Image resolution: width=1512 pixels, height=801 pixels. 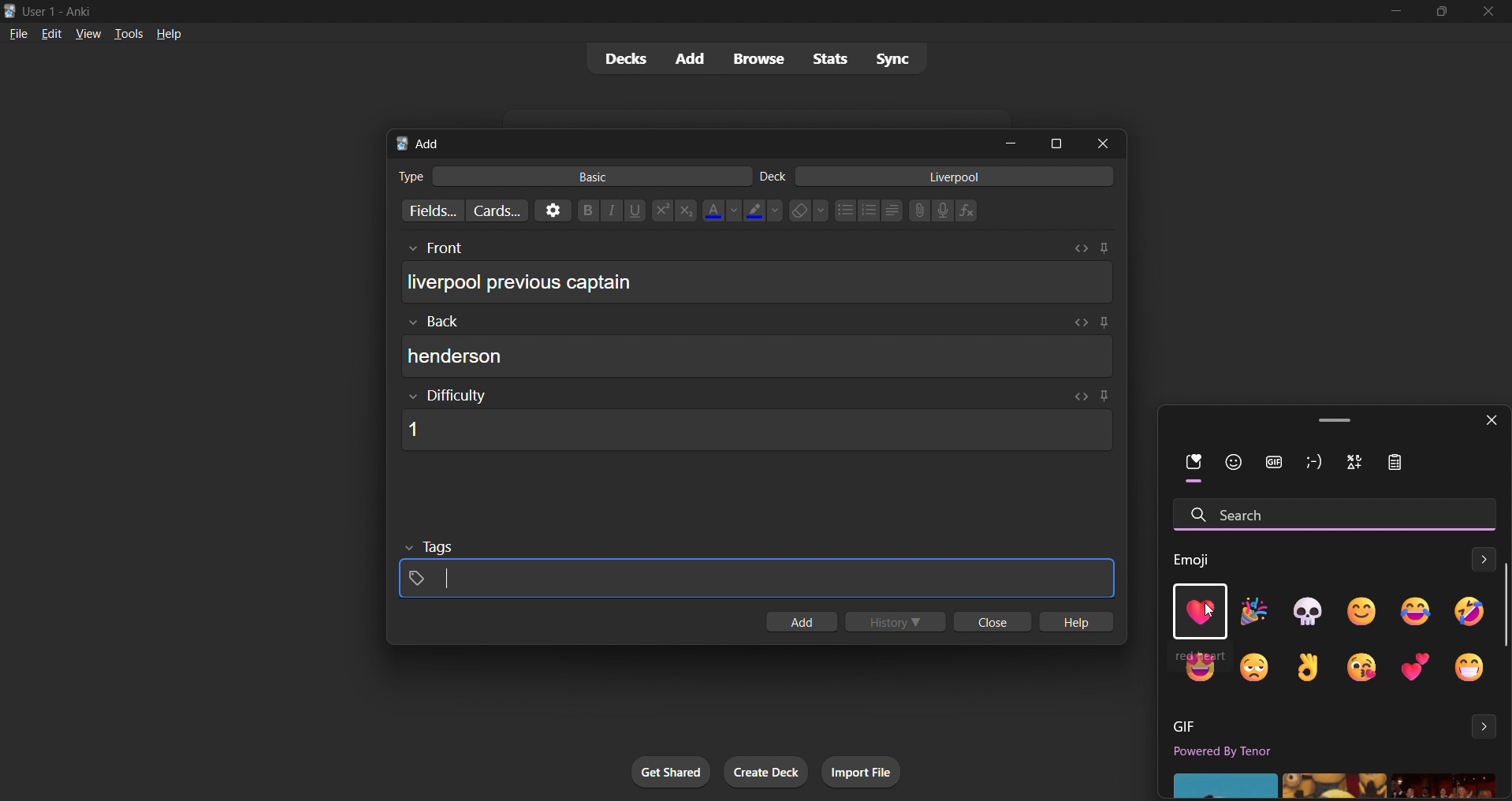 I want to click on Powered by Tenor, so click(x=1250, y=753).